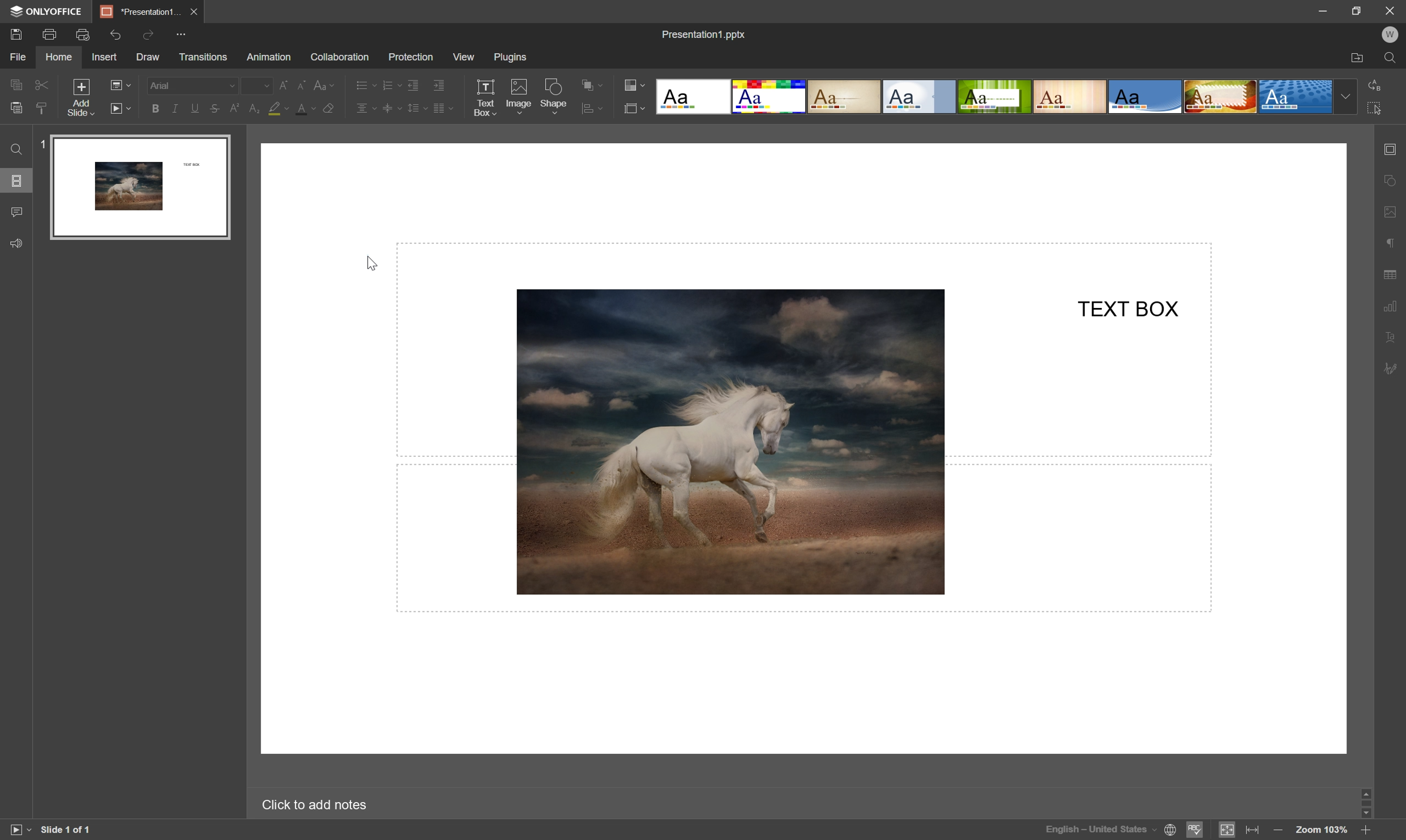  What do you see at coordinates (1390, 35) in the screenshot?
I see `W` at bounding box center [1390, 35].